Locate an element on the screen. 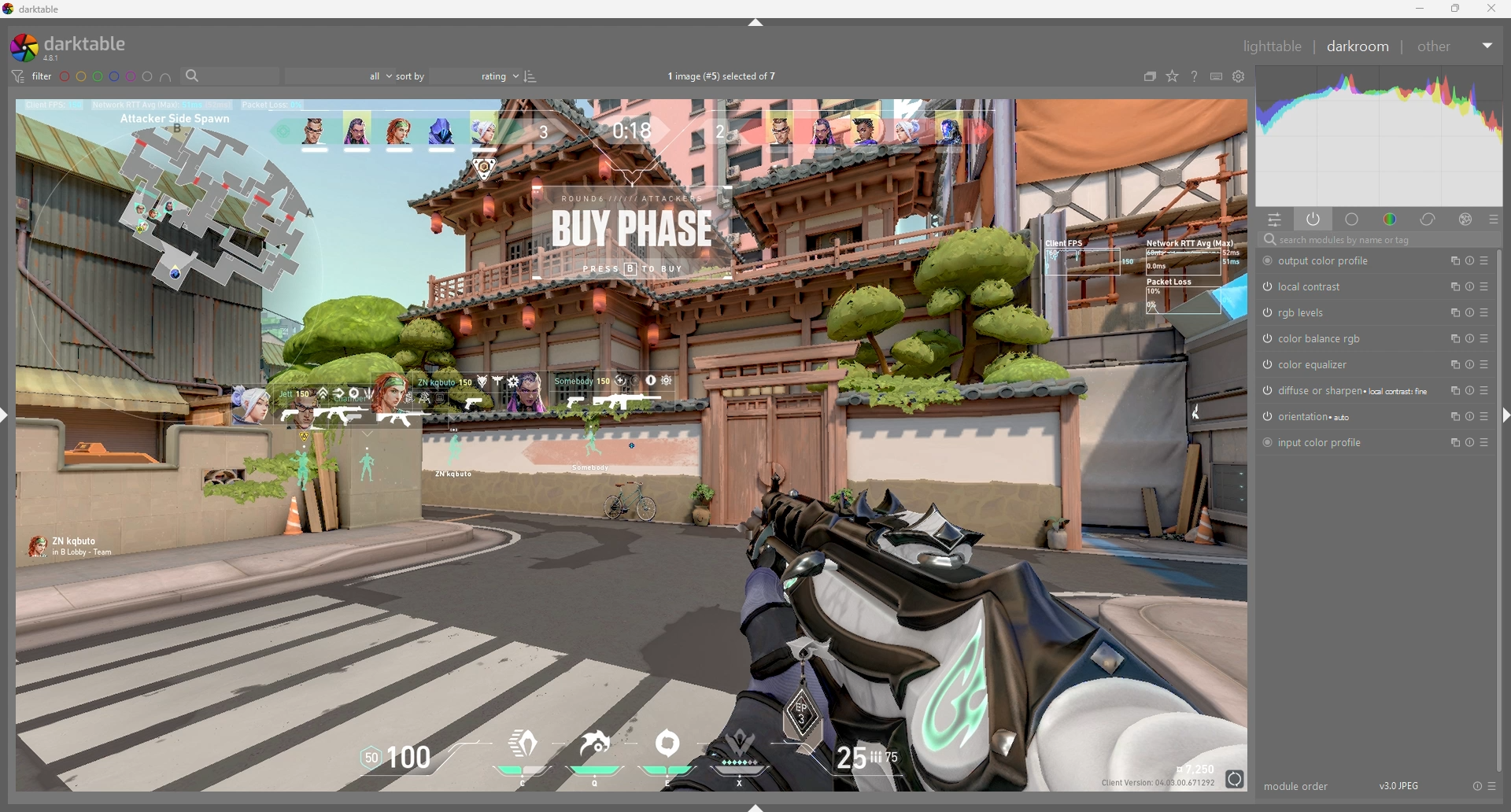 The image size is (1511, 812). collapse grouped images is located at coordinates (1151, 76).